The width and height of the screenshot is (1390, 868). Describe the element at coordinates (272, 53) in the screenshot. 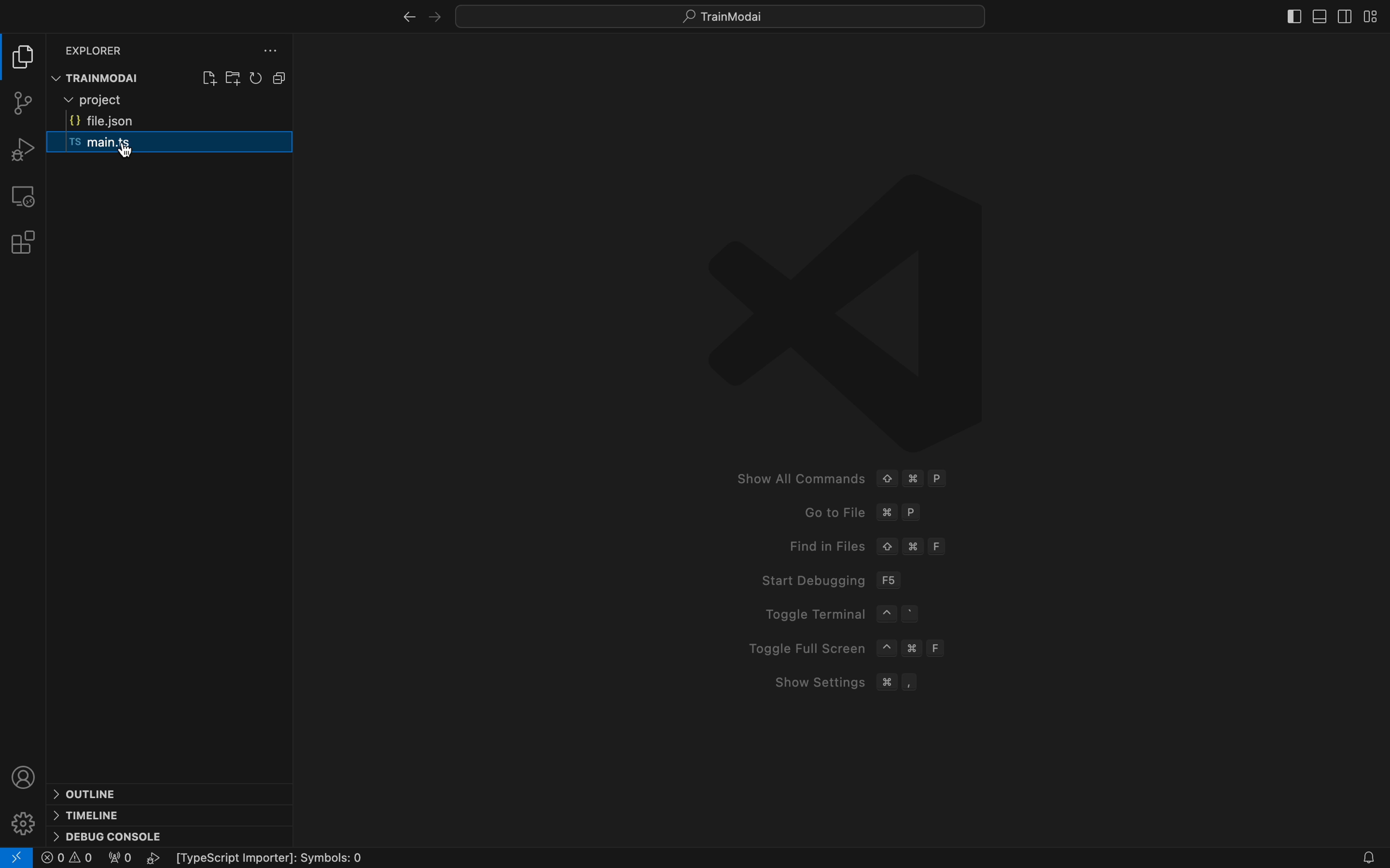

I see `file explore settings` at that location.